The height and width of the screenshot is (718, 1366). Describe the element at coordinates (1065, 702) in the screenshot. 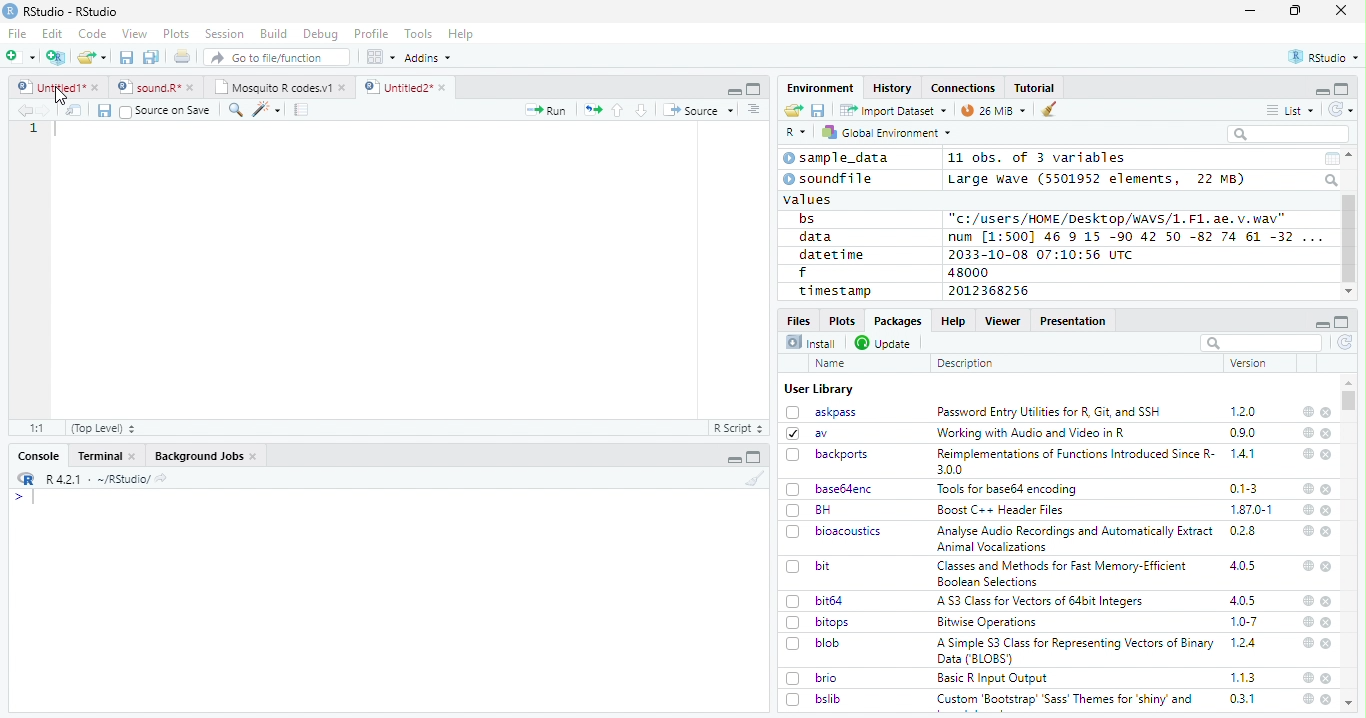

I see `Custom ‘Bootstrap’ ‘Sass’ Themes for ‘shiny’ and` at that location.